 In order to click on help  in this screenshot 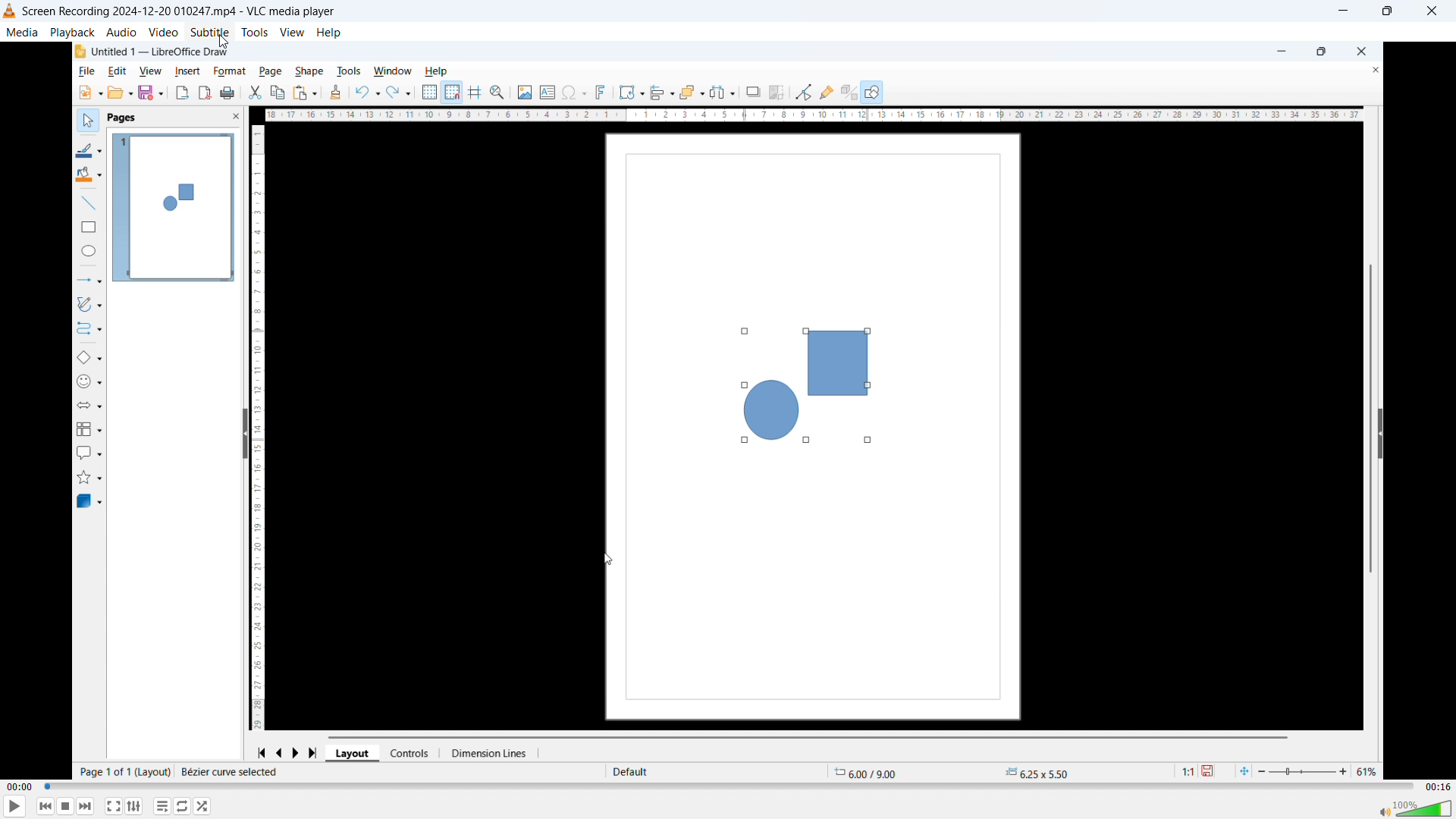, I will do `click(329, 33)`.